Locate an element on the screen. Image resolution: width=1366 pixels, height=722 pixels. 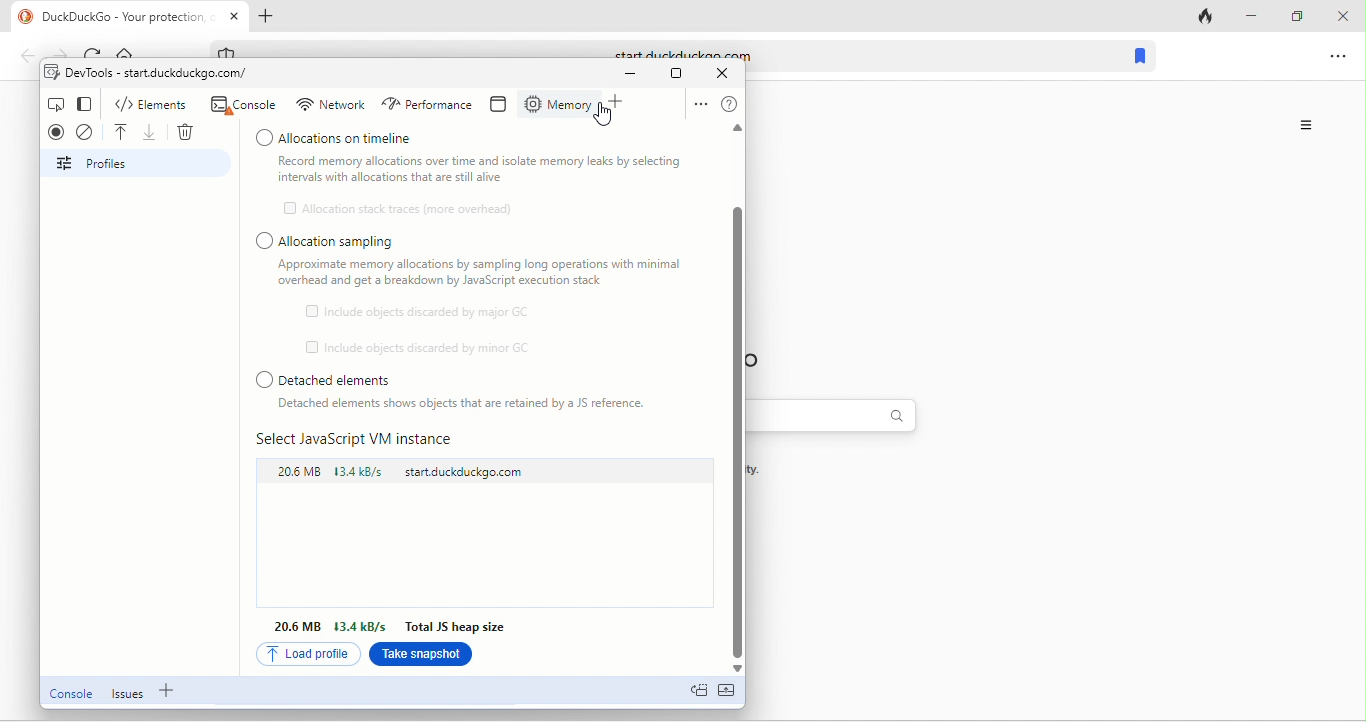
issues is located at coordinates (130, 695).